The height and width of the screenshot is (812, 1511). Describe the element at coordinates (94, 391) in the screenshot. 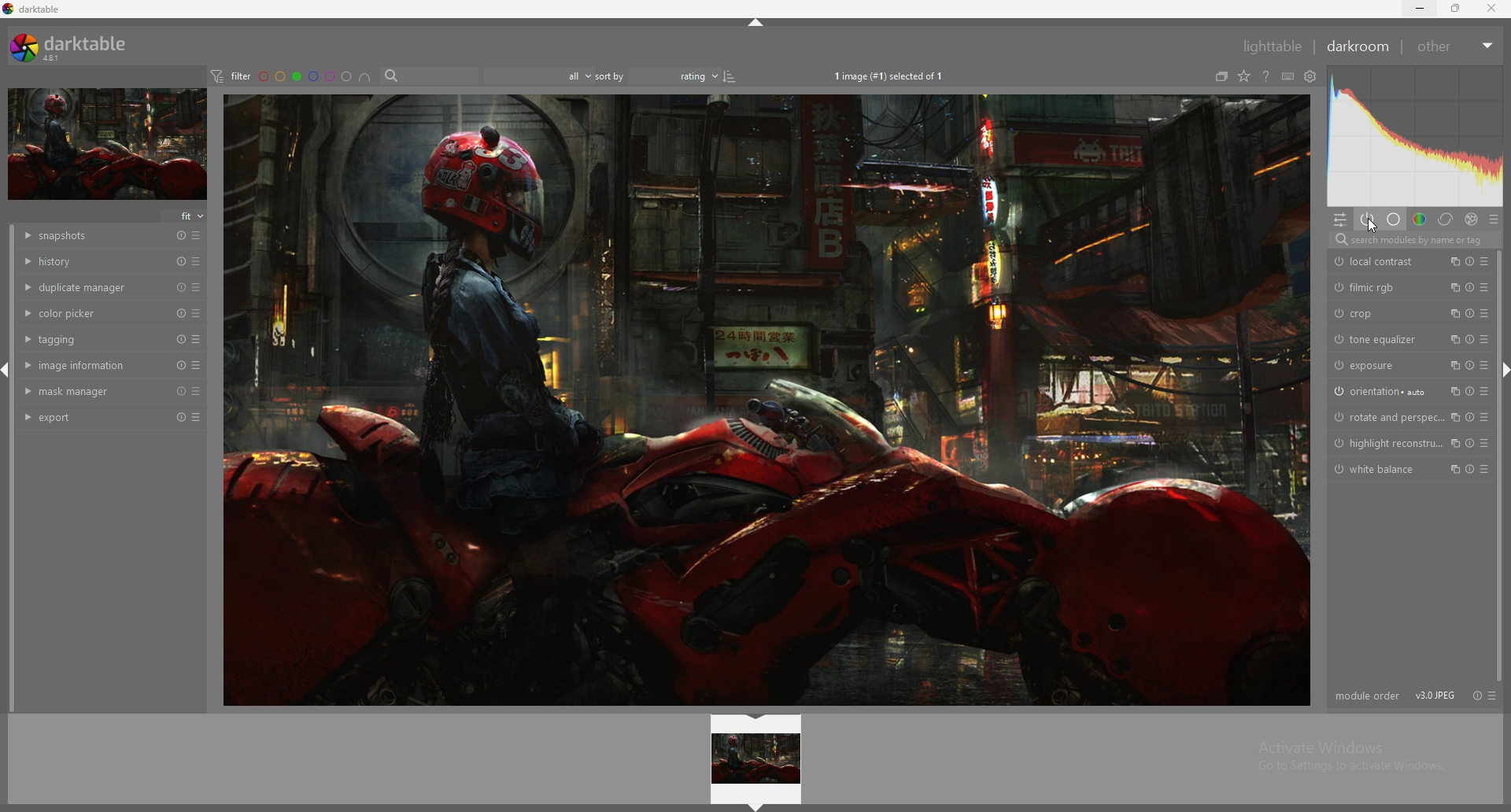

I see `mask manager` at that location.